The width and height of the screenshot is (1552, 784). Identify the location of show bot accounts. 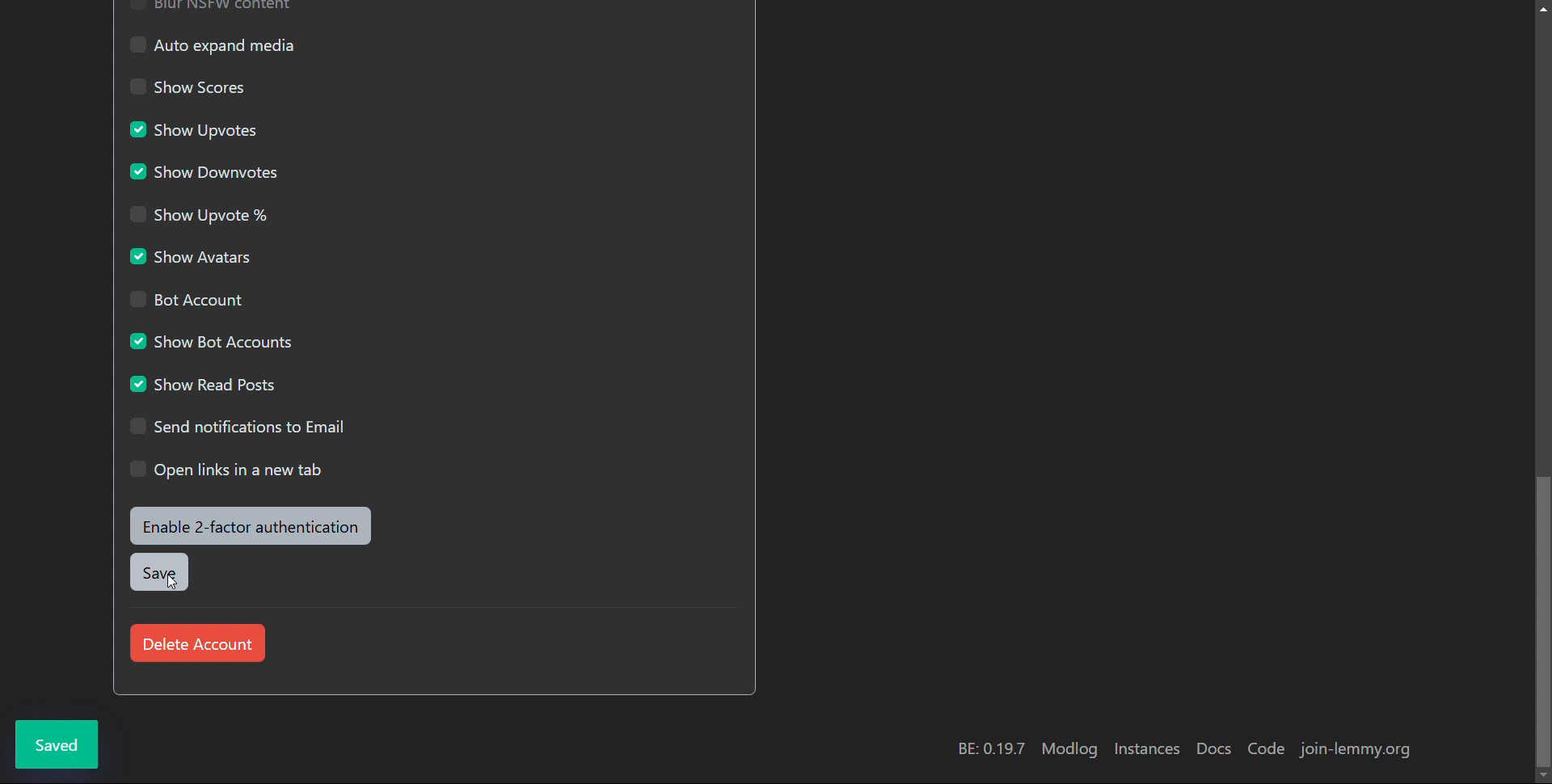
(215, 340).